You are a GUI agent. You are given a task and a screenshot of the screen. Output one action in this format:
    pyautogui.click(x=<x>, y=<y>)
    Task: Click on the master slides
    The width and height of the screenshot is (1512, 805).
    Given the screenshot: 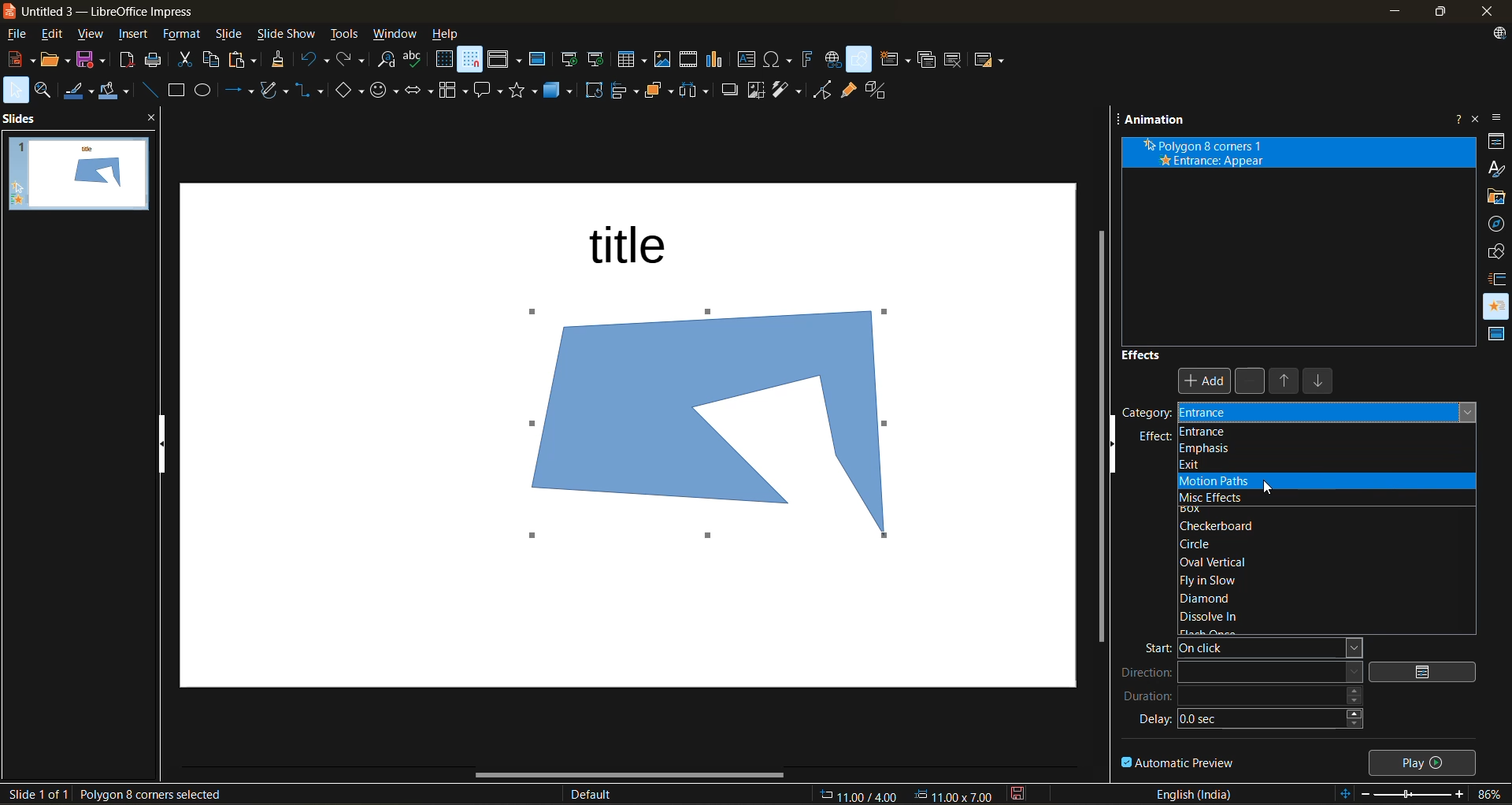 What is the action you would take?
    pyautogui.click(x=1496, y=338)
    